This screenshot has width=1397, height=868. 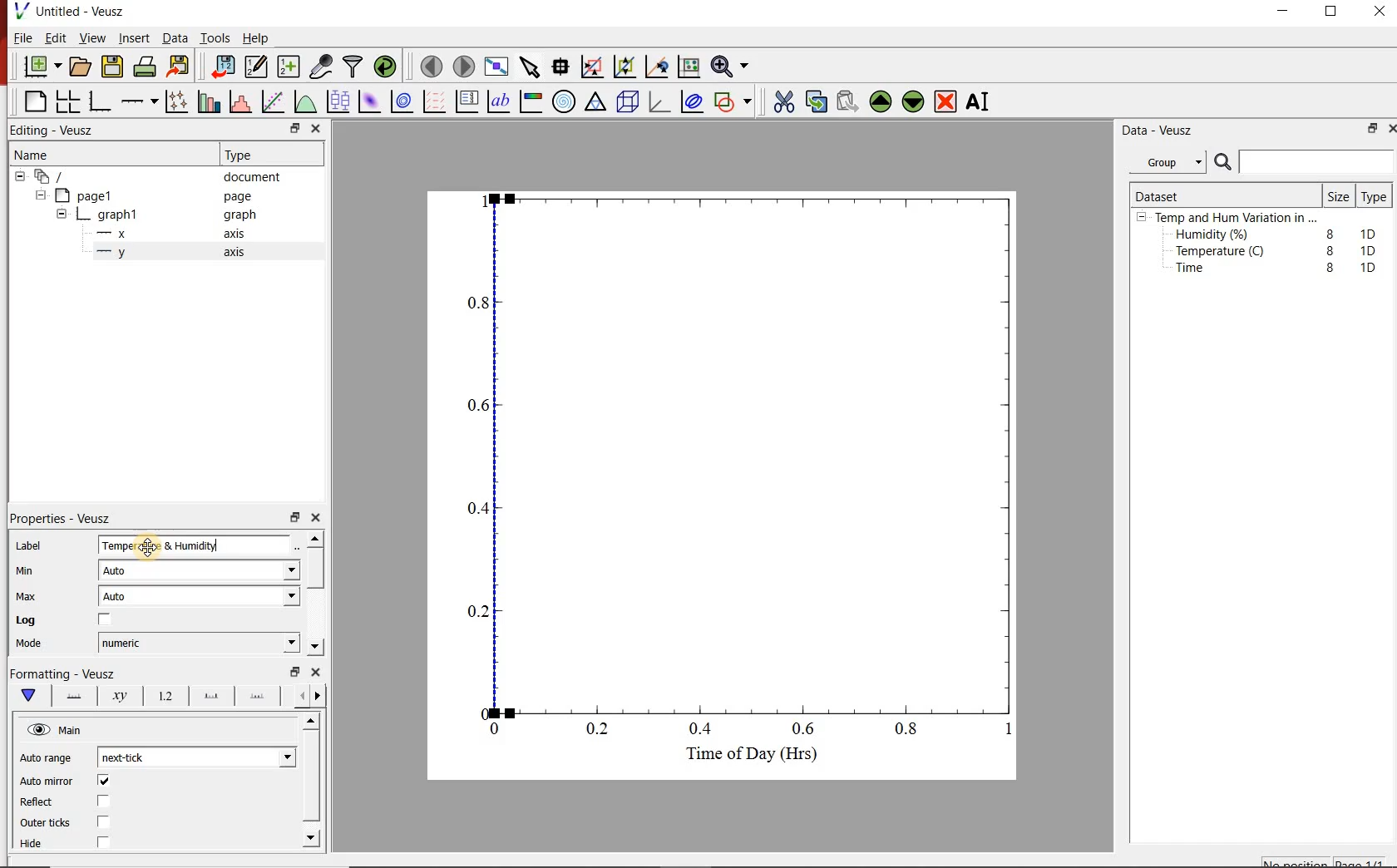 What do you see at coordinates (30, 697) in the screenshot?
I see `main formatting` at bounding box center [30, 697].